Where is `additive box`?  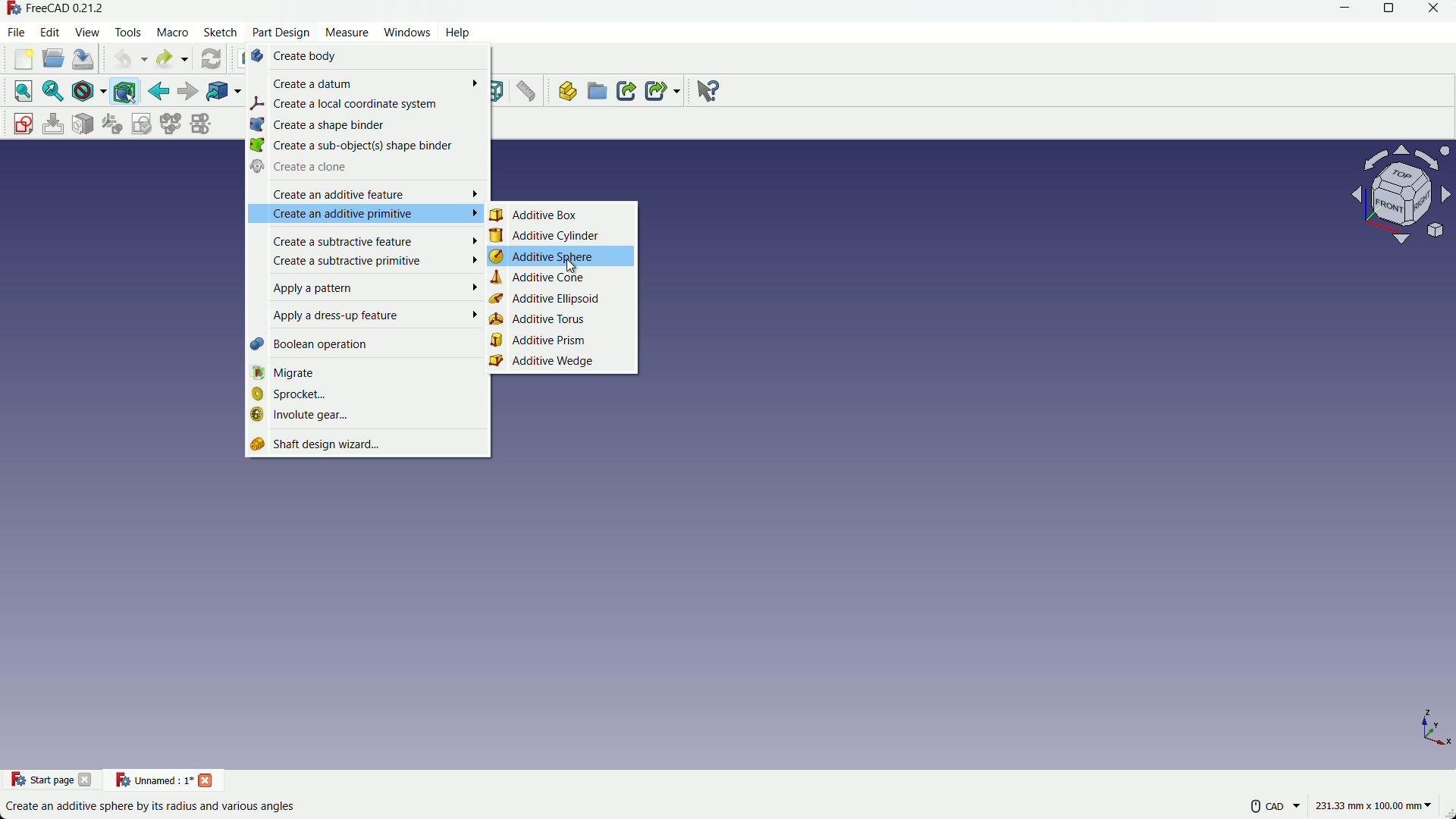
additive box is located at coordinates (567, 215).